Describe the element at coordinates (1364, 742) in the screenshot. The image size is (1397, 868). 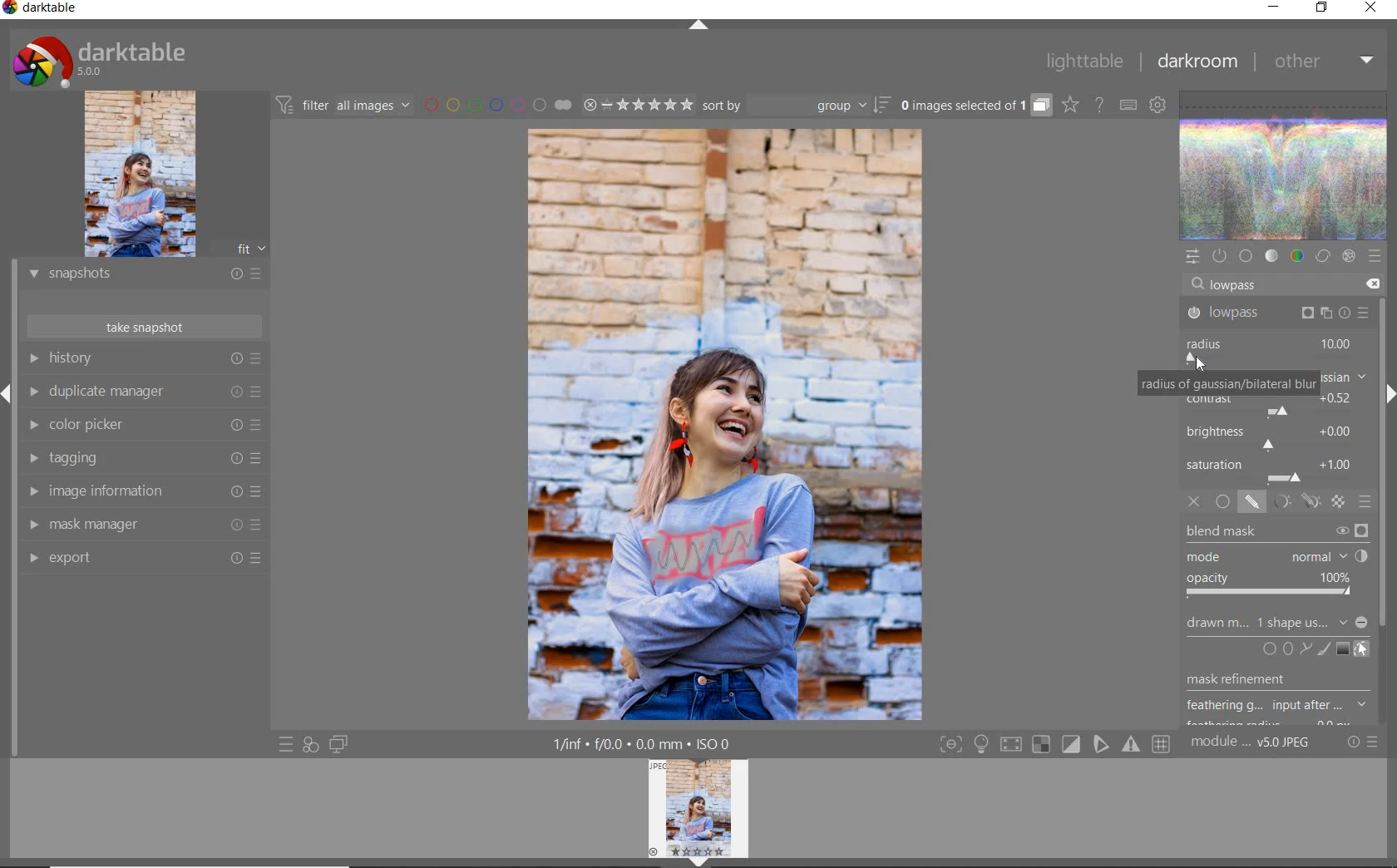
I see `reset or presets and preferences` at that location.